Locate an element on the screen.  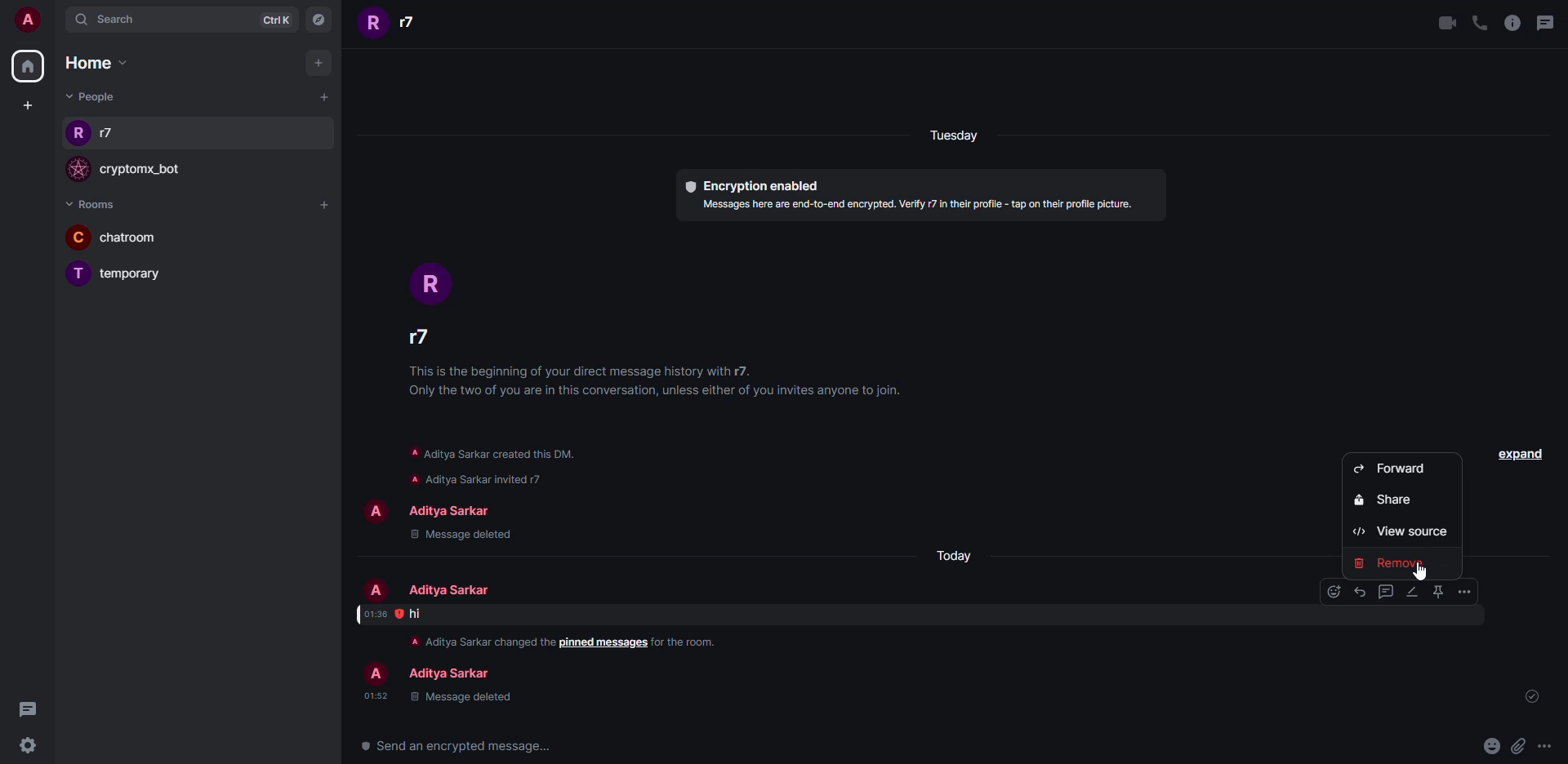
emoji is located at coordinates (1490, 744).